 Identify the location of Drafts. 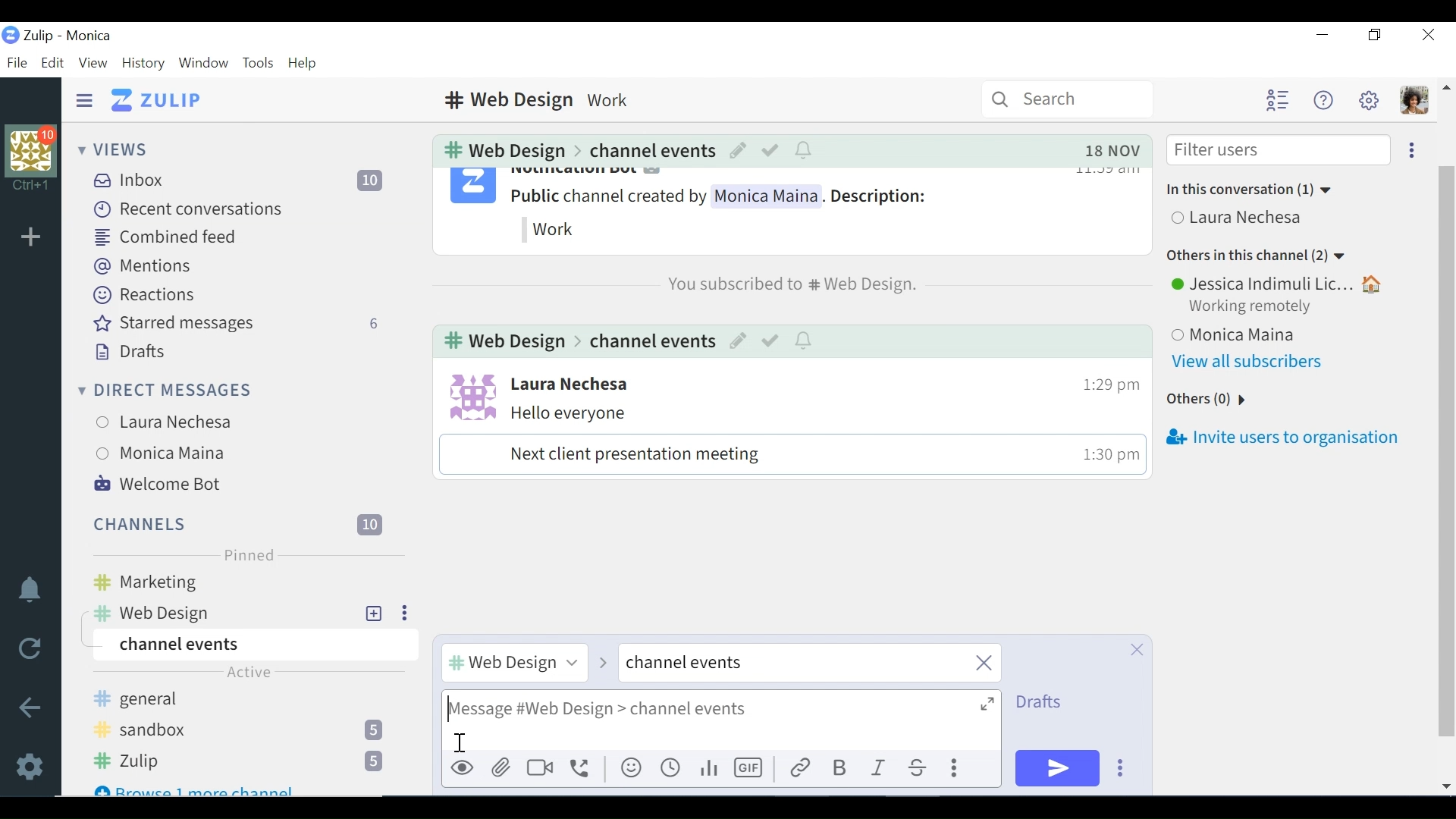
(128, 350).